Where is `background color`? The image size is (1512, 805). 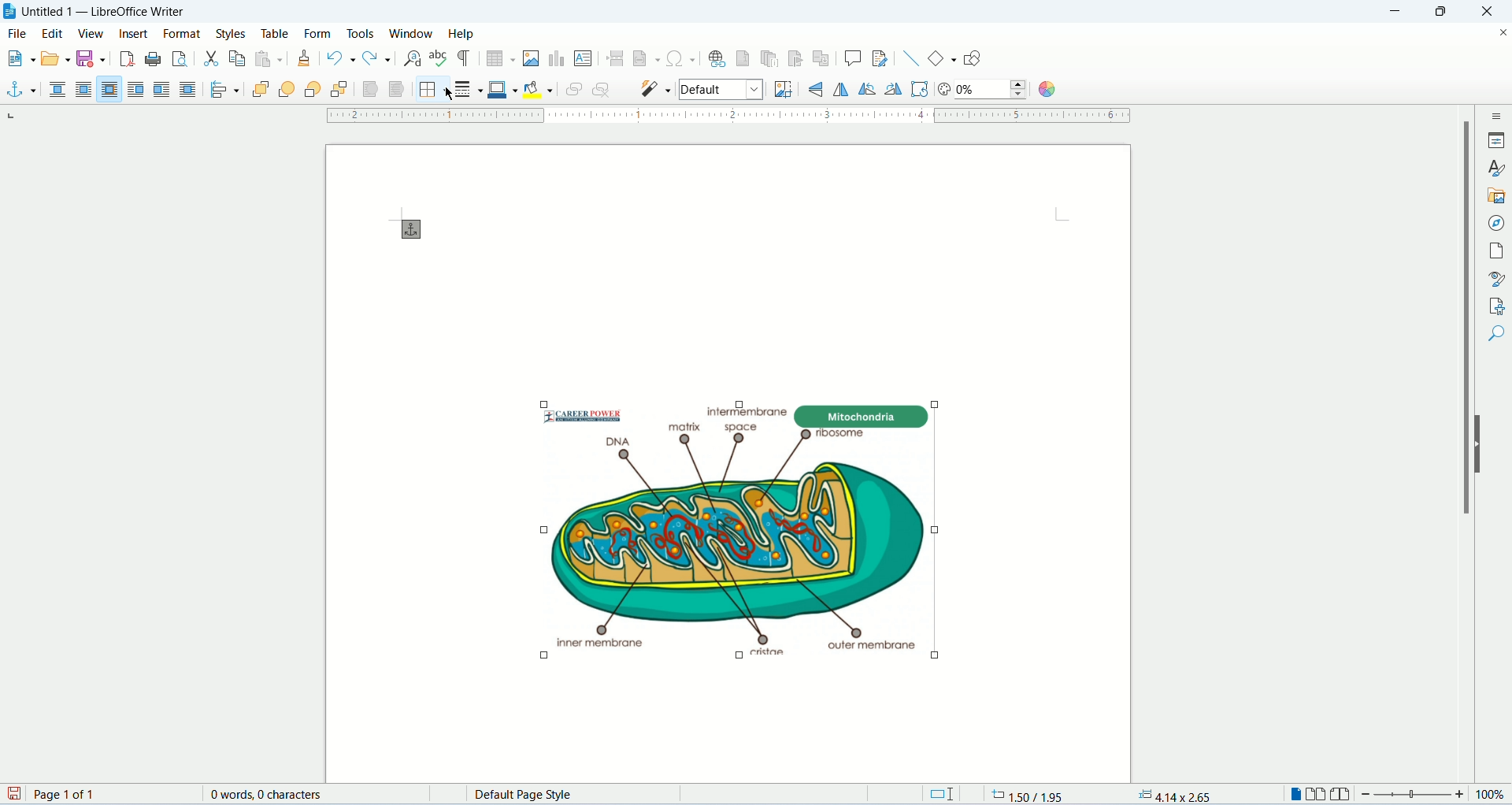
background color is located at coordinates (538, 90).